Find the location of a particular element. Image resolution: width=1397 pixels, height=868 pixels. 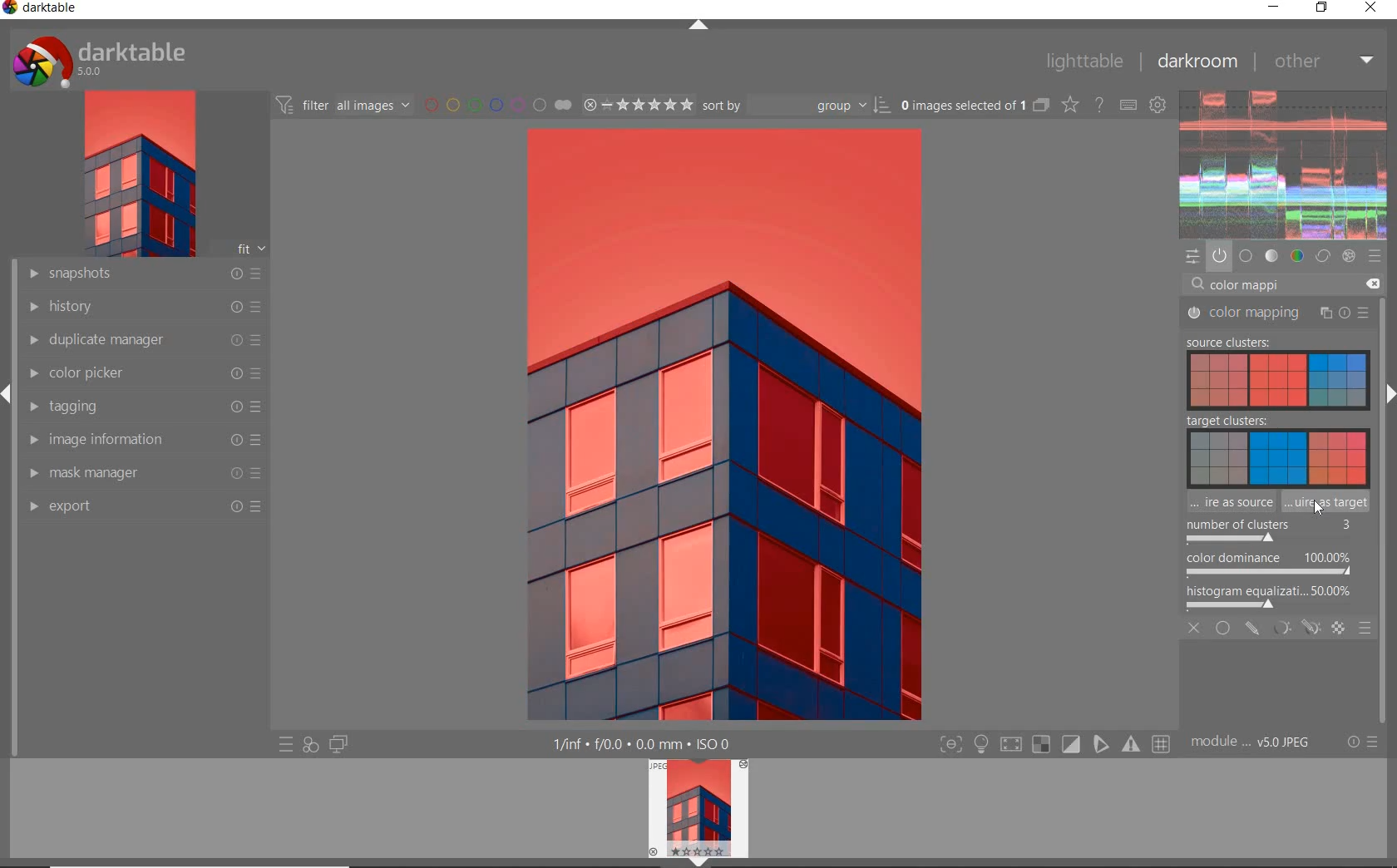

as source is located at coordinates (1222, 504).